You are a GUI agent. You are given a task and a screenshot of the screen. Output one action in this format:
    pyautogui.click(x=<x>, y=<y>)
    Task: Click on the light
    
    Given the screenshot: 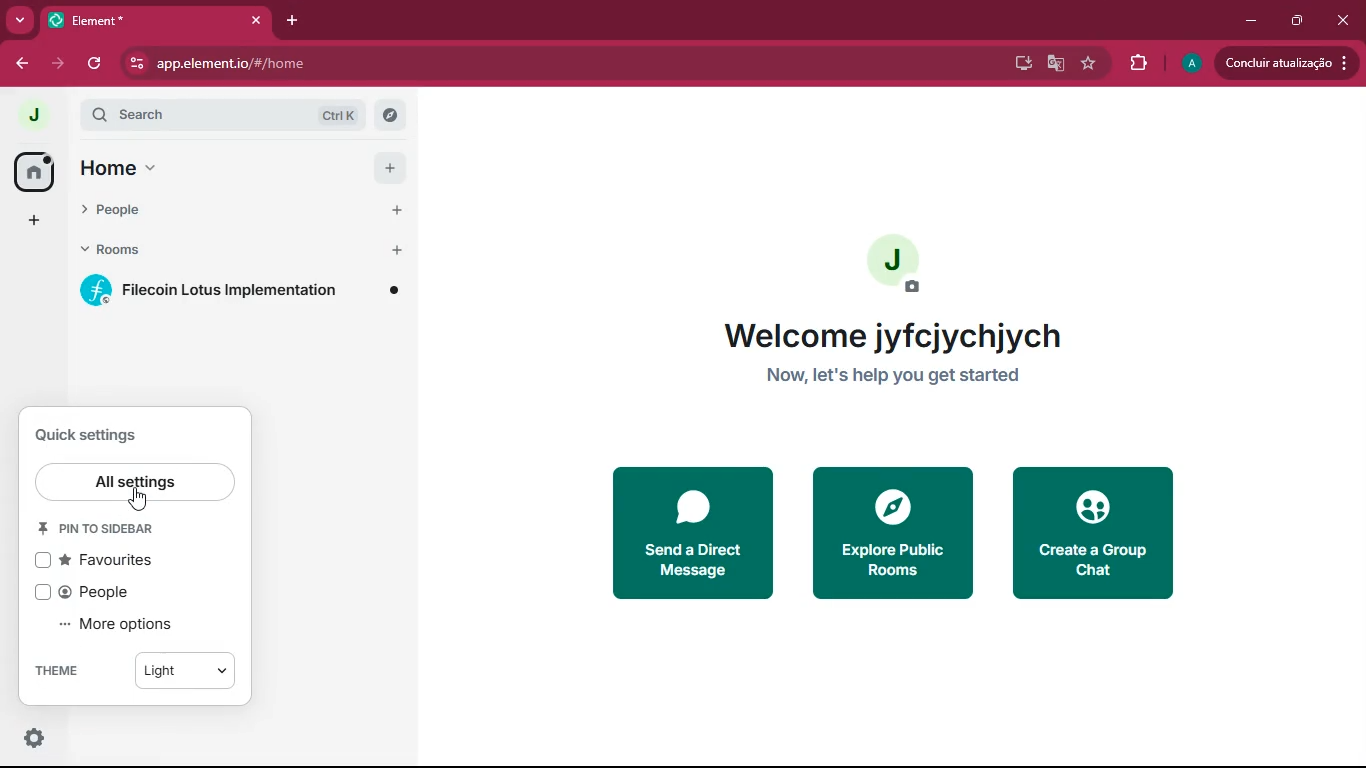 What is the action you would take?
    pyautogui.click(x=186, y=670)
    